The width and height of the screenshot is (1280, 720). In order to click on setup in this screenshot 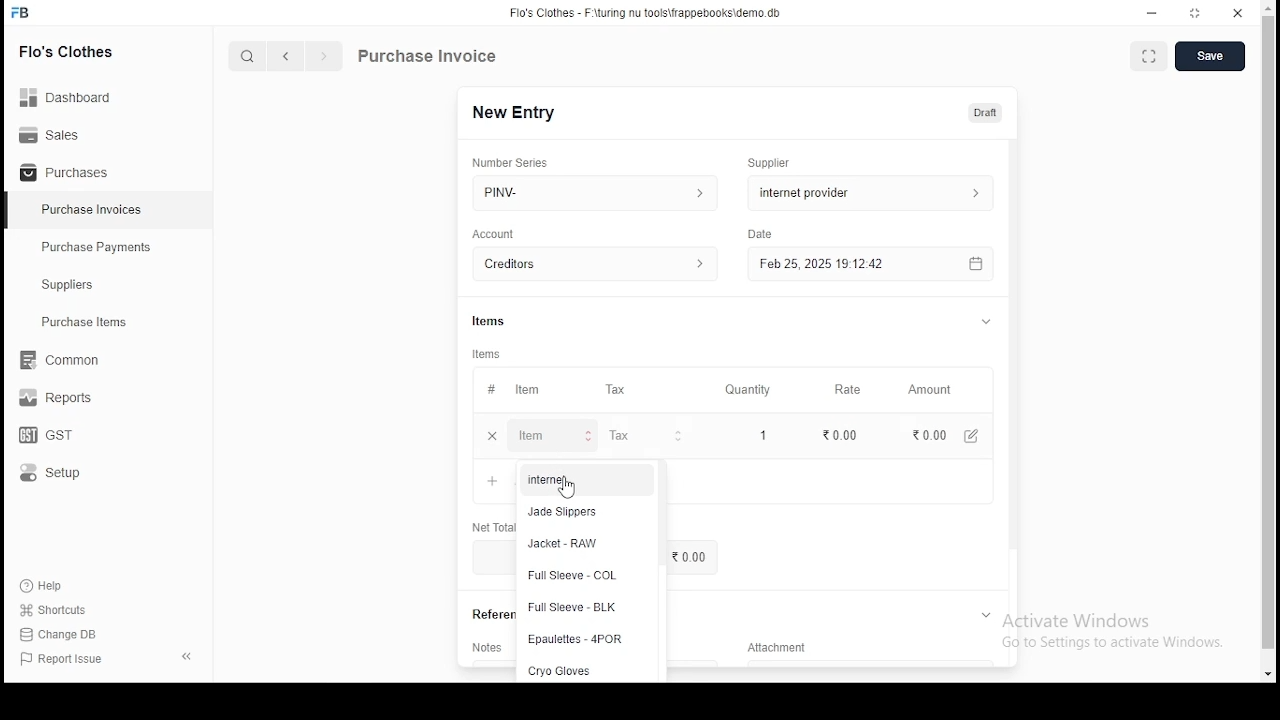, I will do `click(63, 474)`.